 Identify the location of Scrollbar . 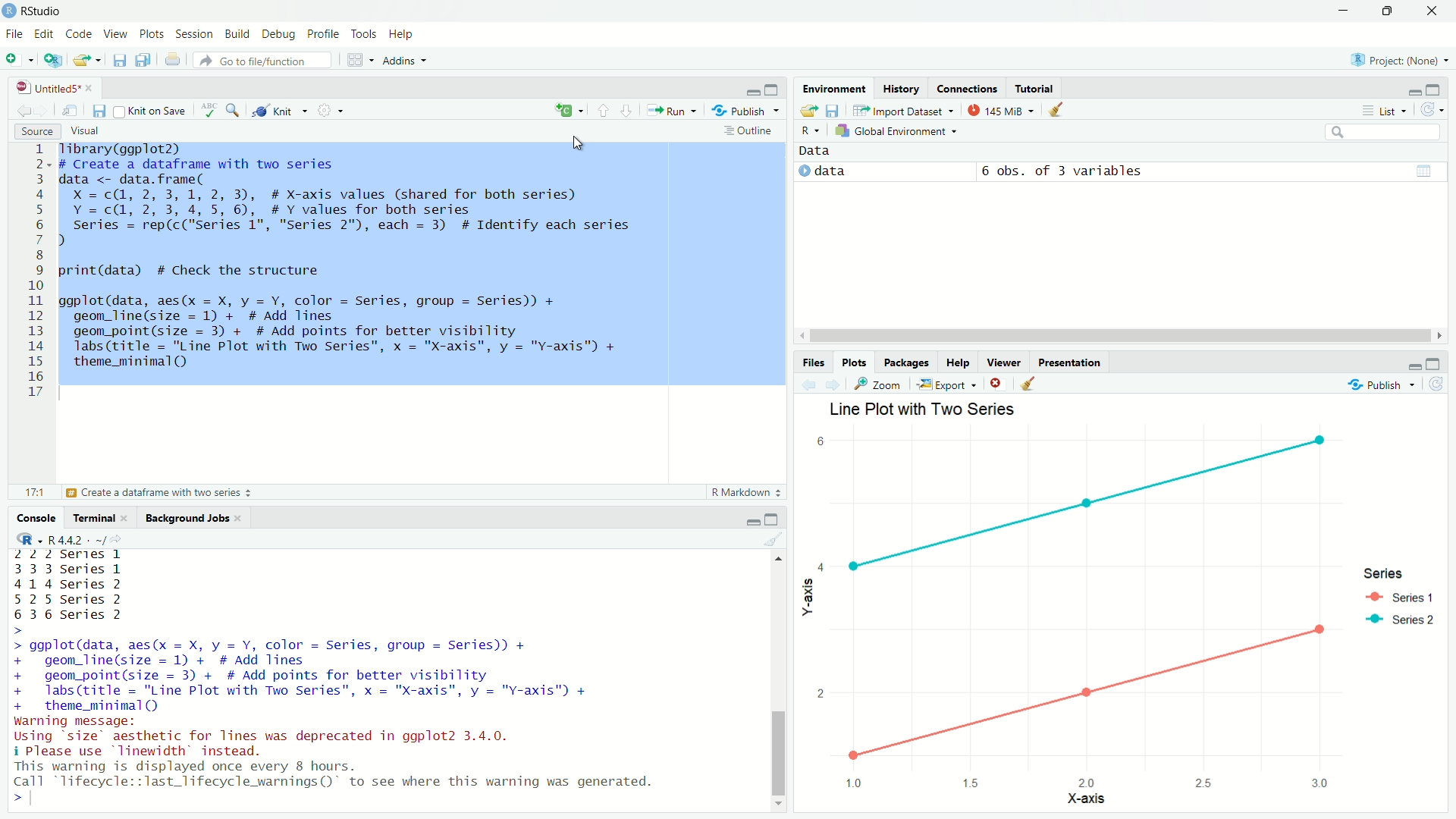
(779, 686).